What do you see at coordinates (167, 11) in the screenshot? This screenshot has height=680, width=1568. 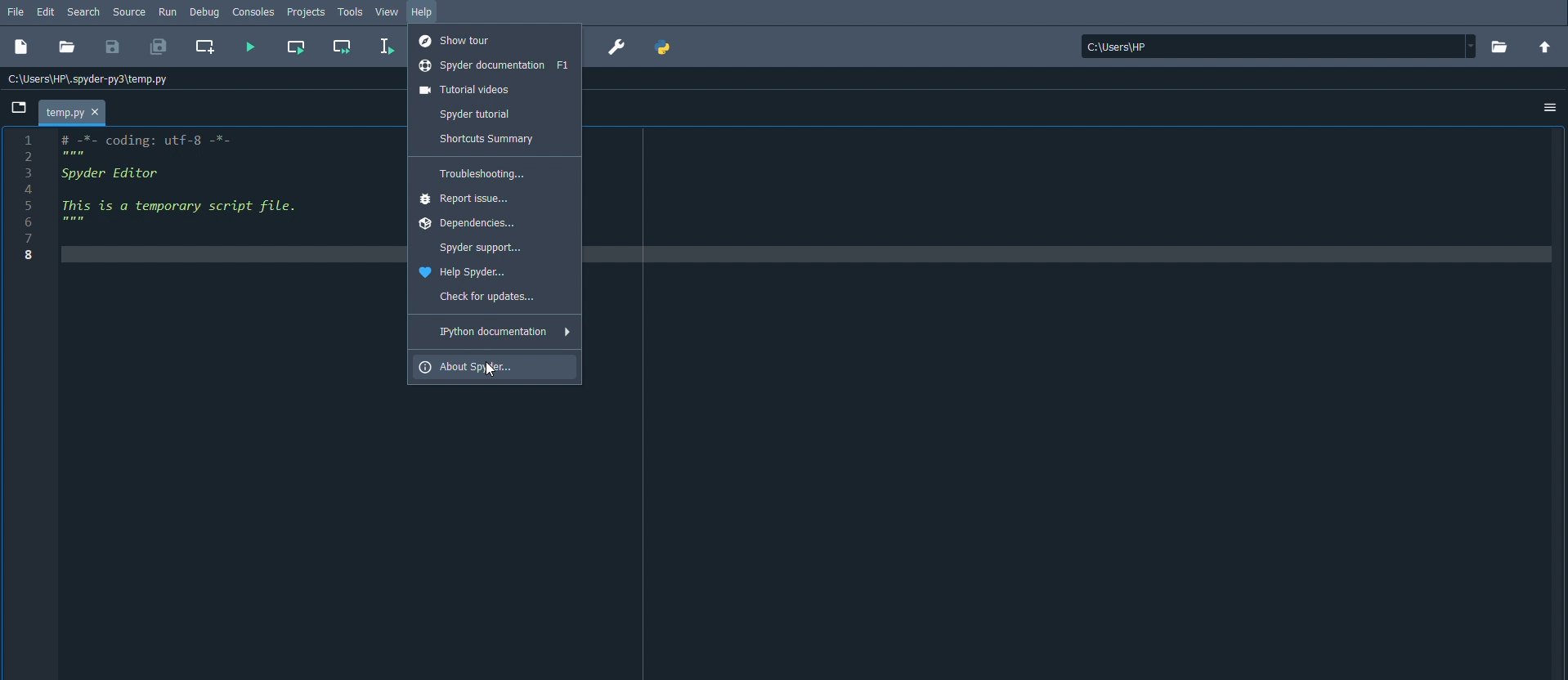 I see `Run` at bounding box center [167, 11].